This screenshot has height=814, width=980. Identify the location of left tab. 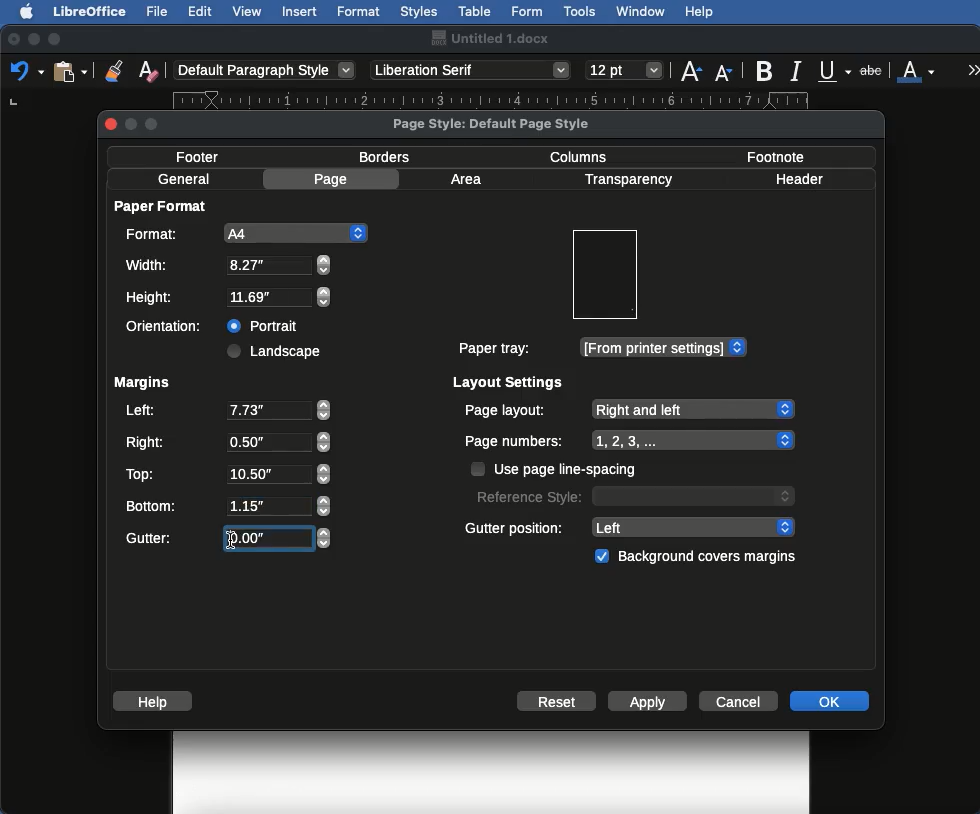
(12, 103).